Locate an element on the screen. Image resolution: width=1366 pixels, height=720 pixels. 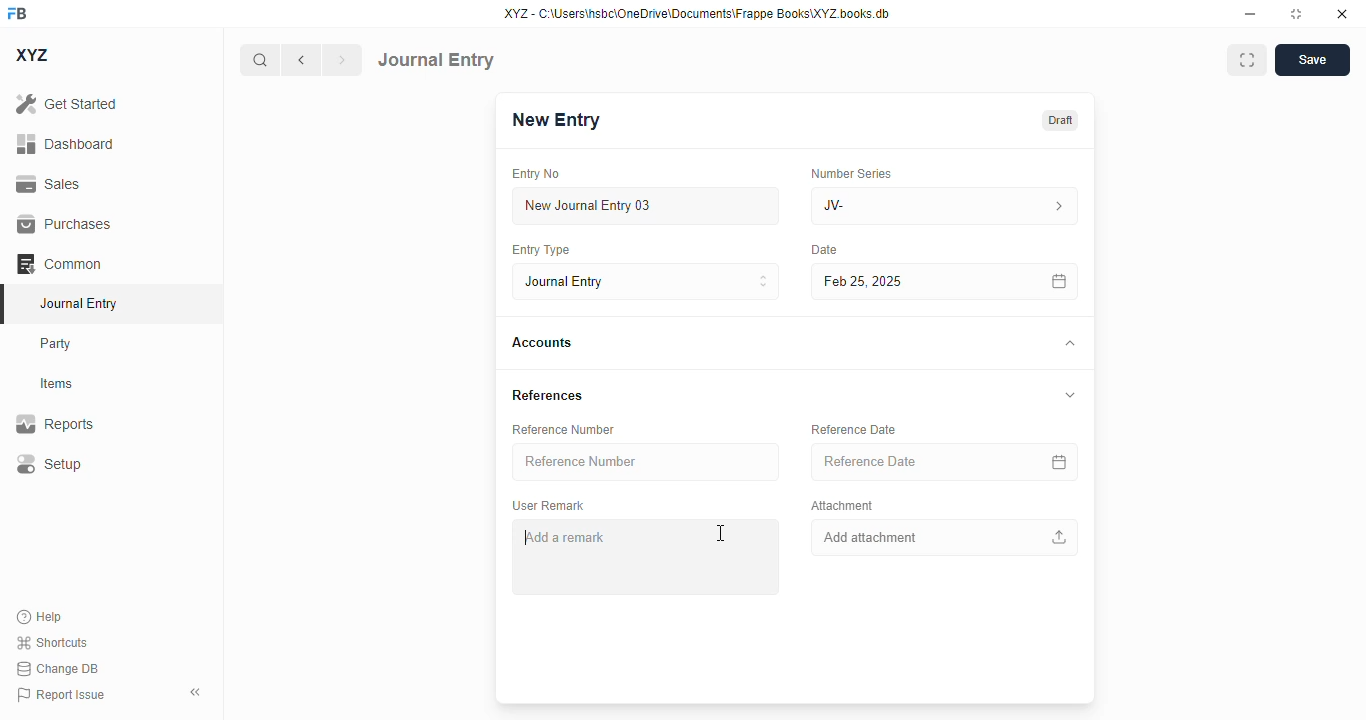
report issue is located at coordinates (61, 695).